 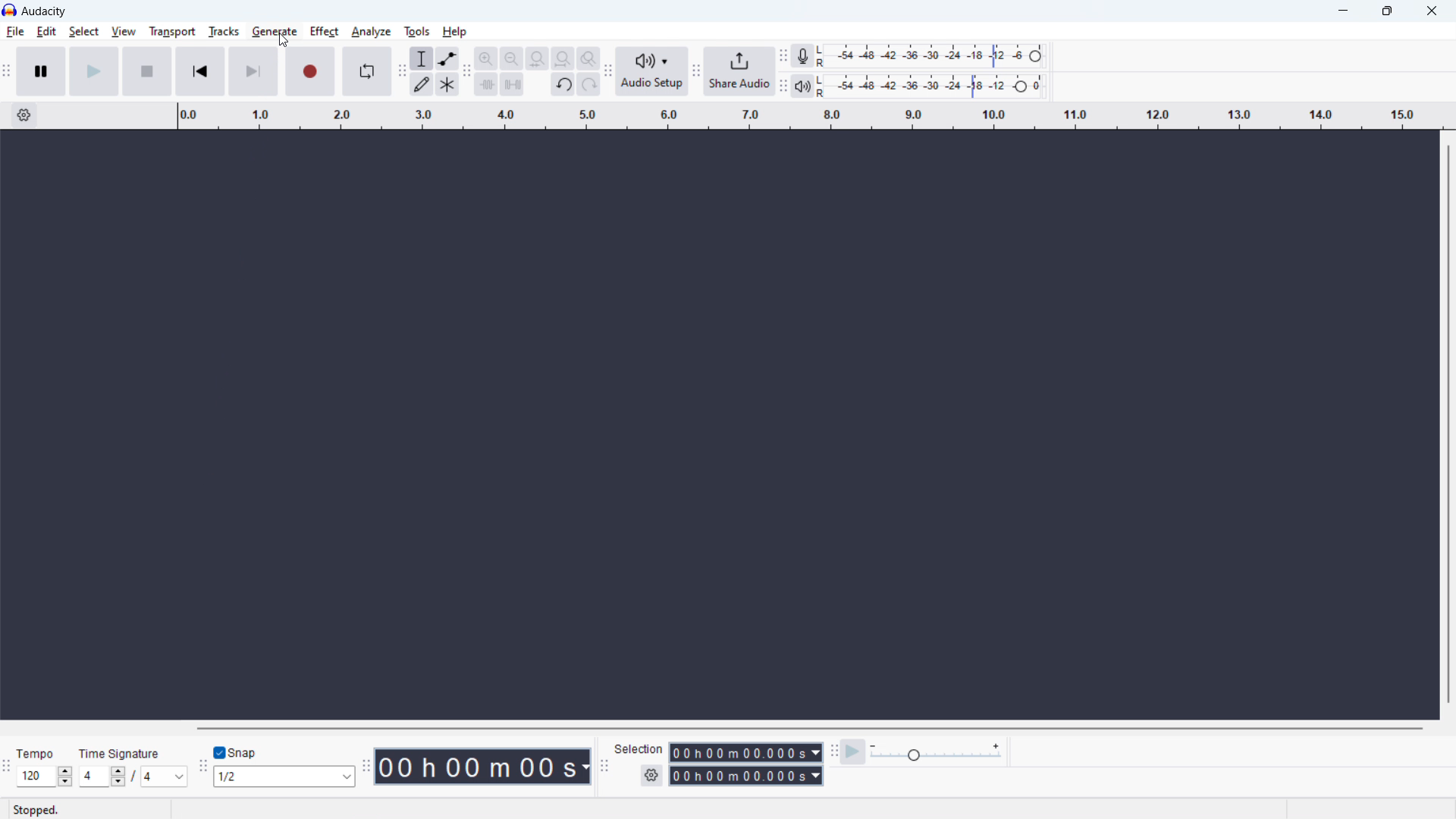 I want to click on recording meter, so click(x=930, y=56).